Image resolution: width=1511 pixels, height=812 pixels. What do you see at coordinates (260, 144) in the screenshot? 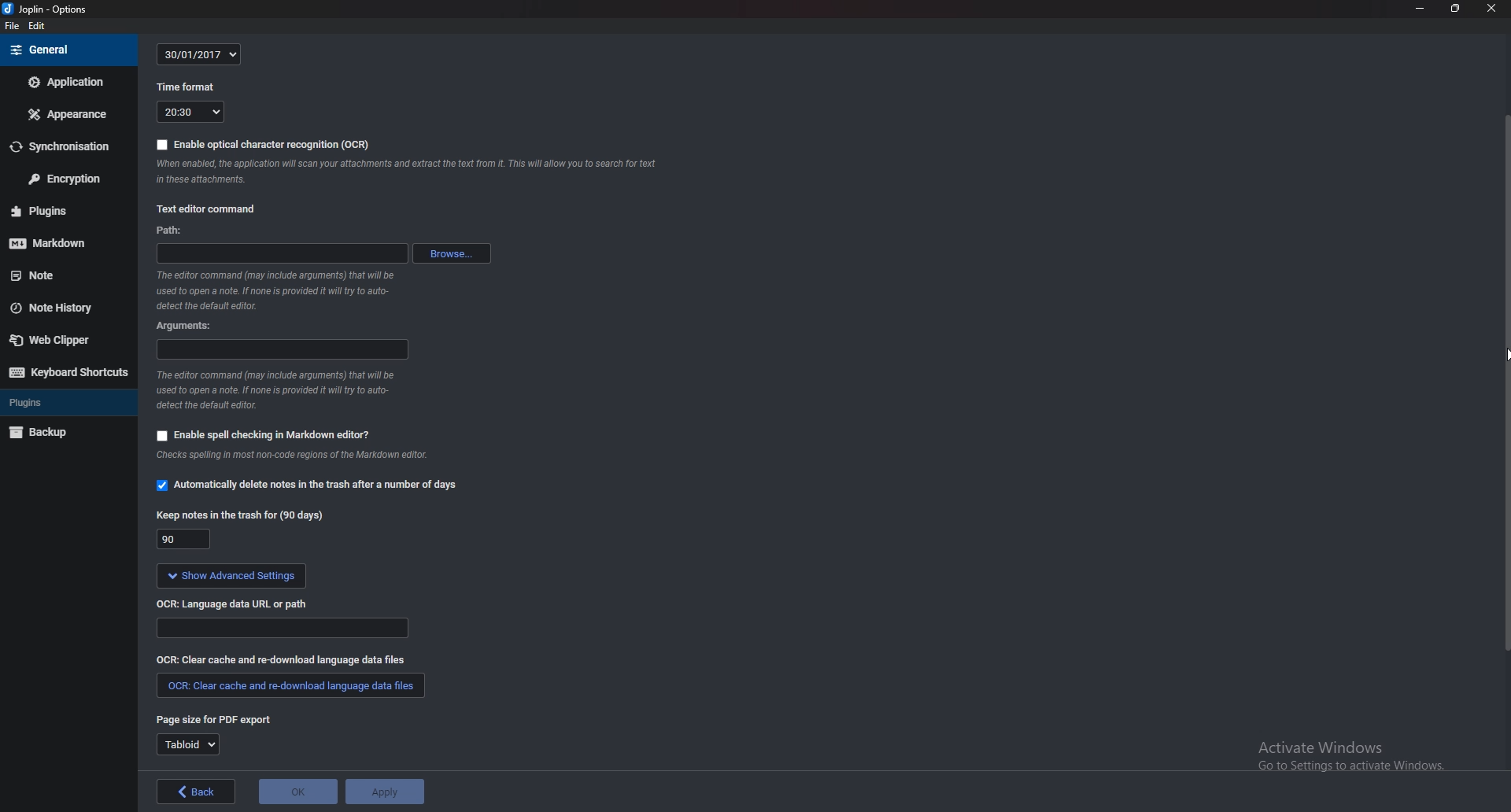
I see `enable OCR` at bounding box center [260, 144].